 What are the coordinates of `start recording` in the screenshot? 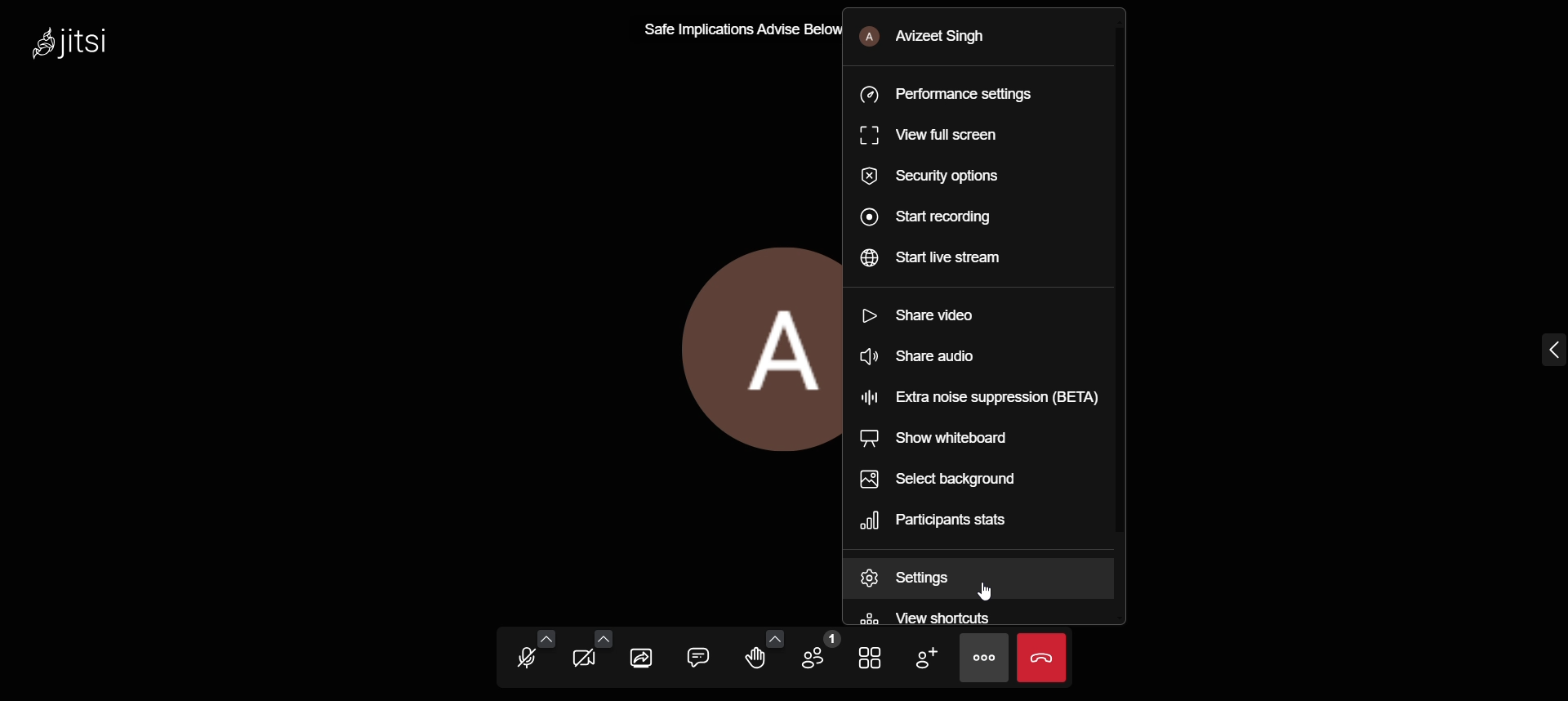 It's located at (947, 216).